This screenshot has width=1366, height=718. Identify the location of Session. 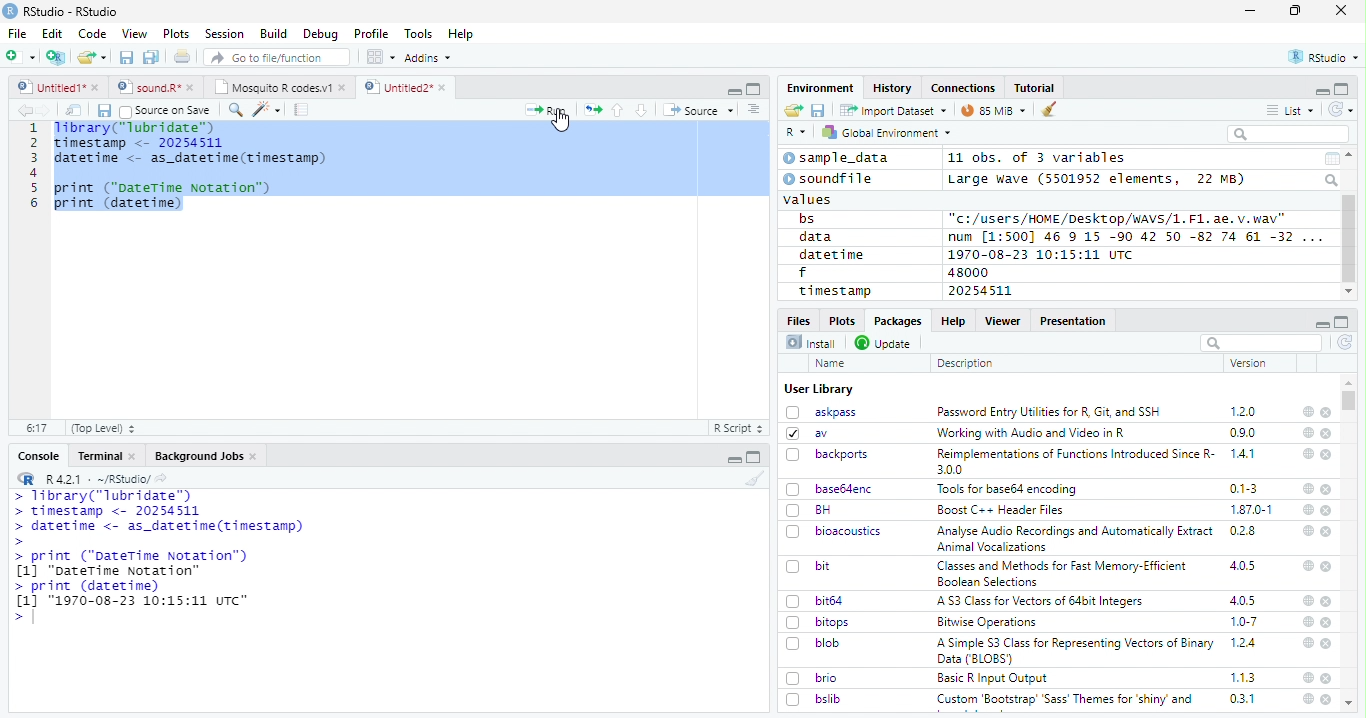
(223, 34).